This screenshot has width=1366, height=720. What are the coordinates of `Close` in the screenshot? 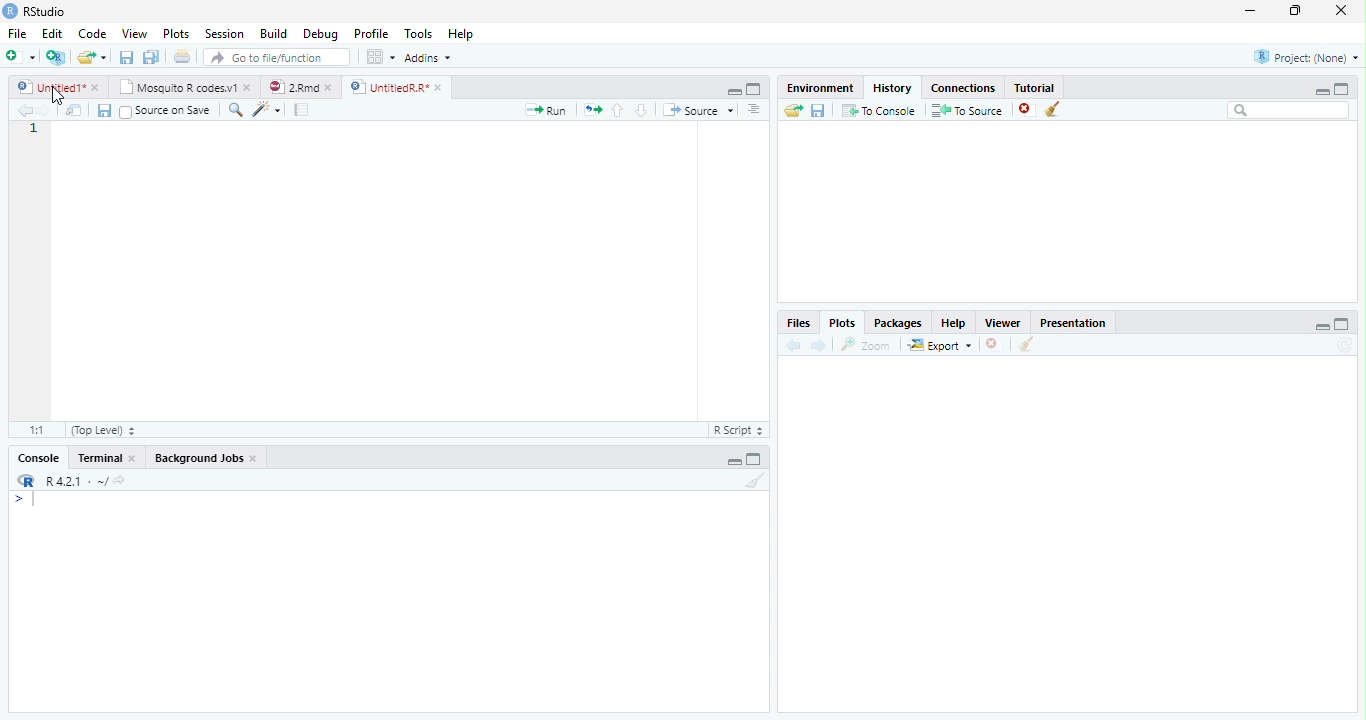 It's located at (254, 458).